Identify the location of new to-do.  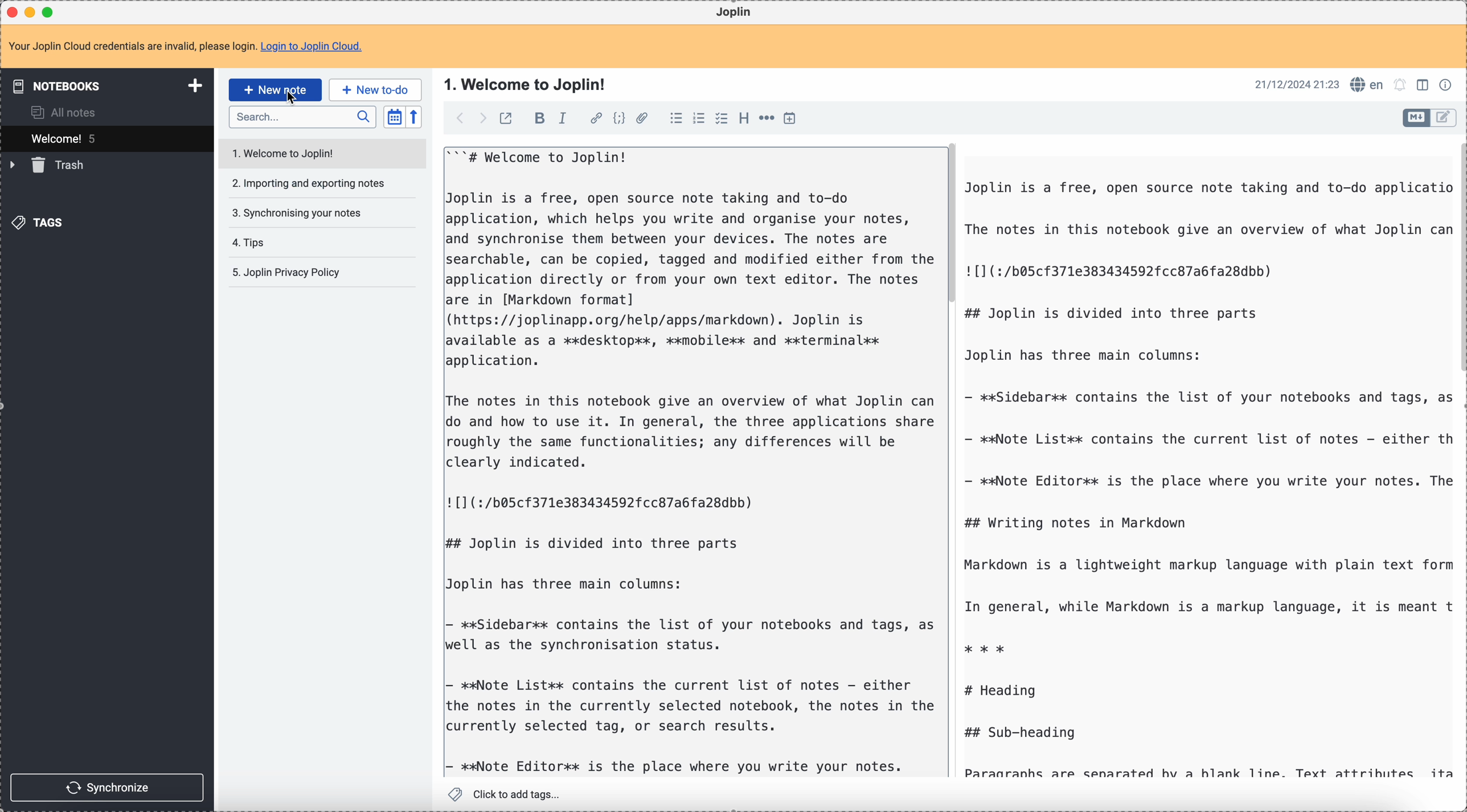
(375, 89).